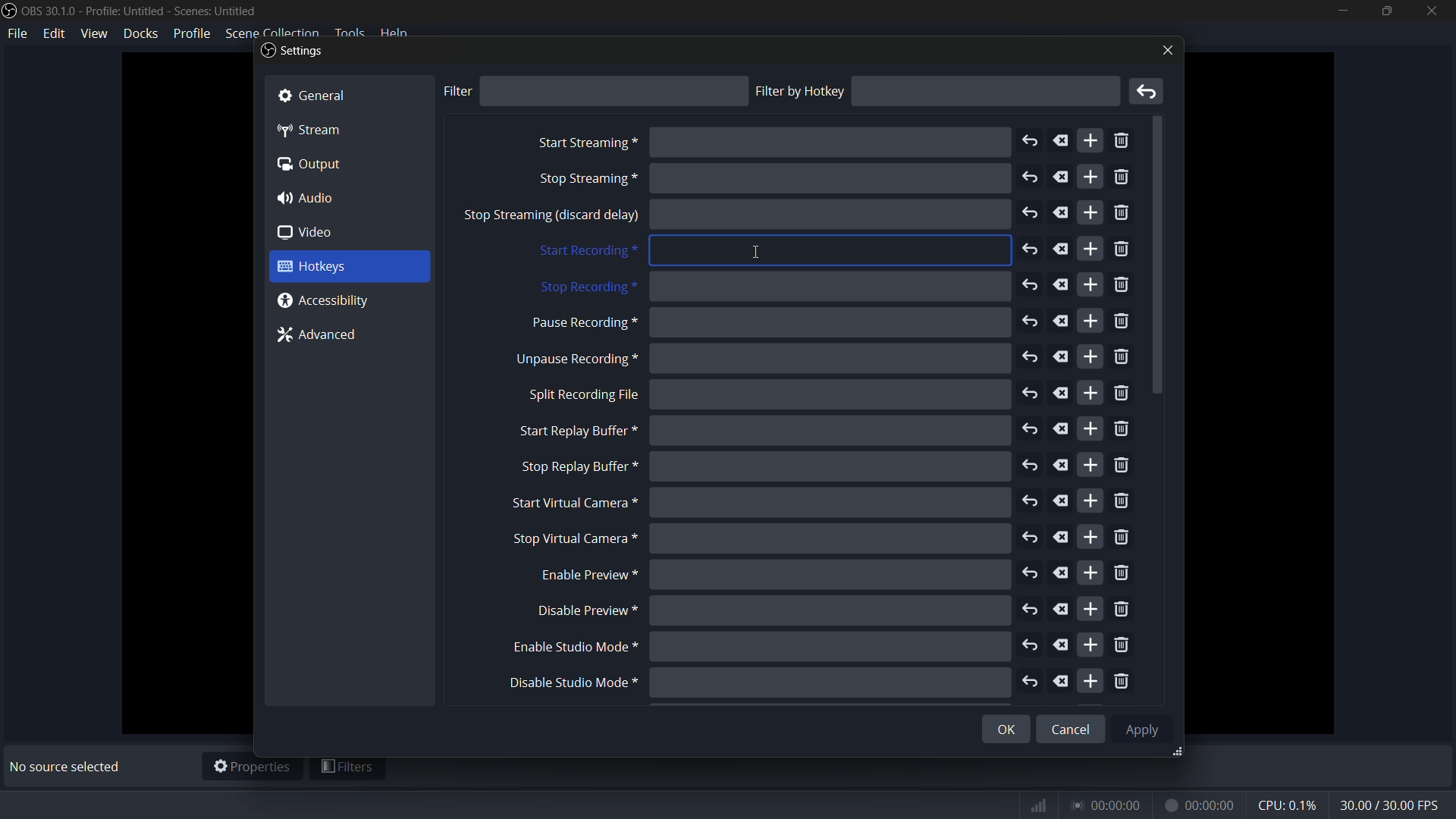 This screenshot has height=819, width=1456. What do you see at coordinates (1122, 646) in the screenshot?
I see `remove` at bounding box center [1122, 646].